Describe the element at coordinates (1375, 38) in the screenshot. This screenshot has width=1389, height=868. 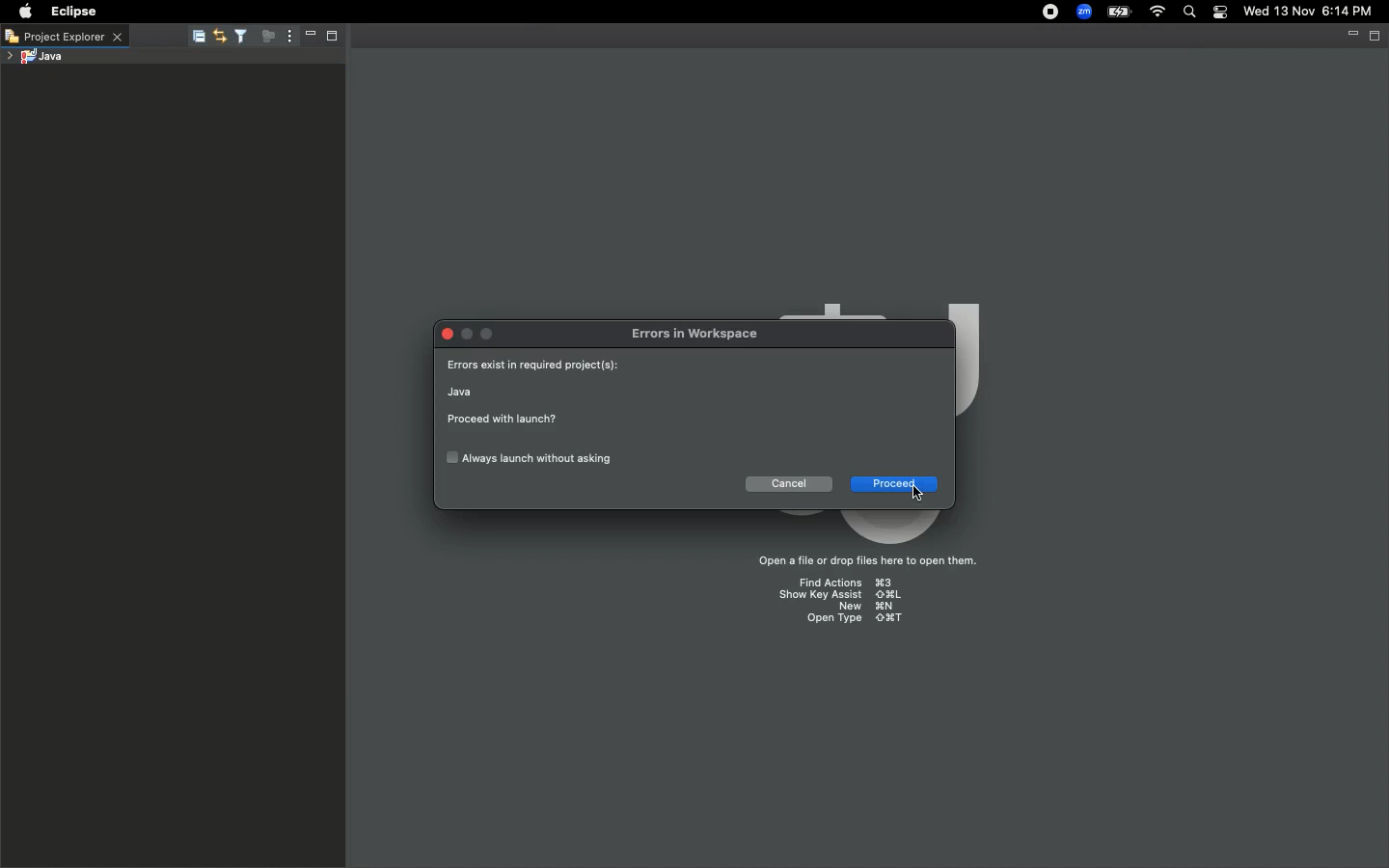
I see `restore` at that location.